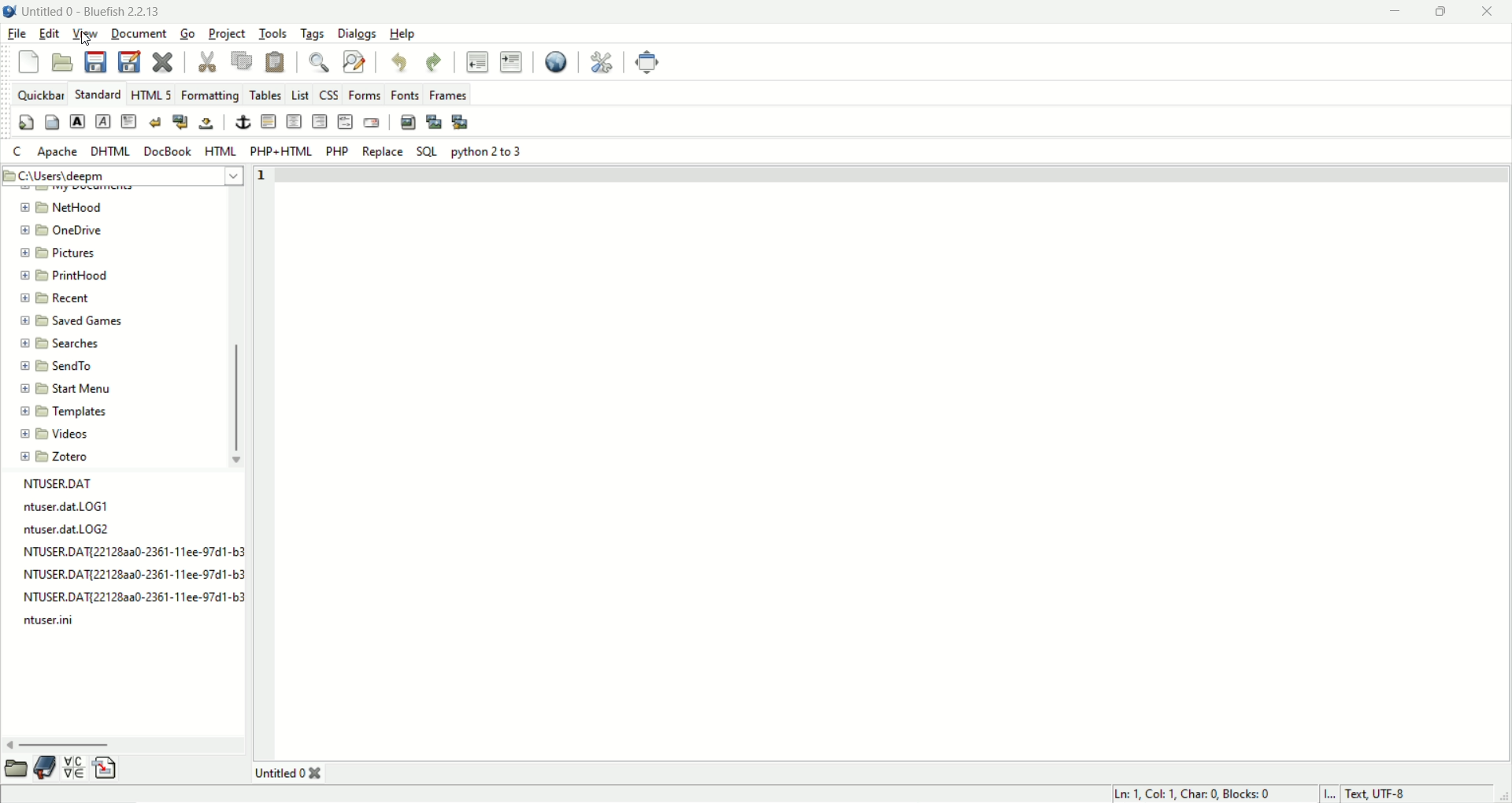  I want to click on cut, so click(206, 61).